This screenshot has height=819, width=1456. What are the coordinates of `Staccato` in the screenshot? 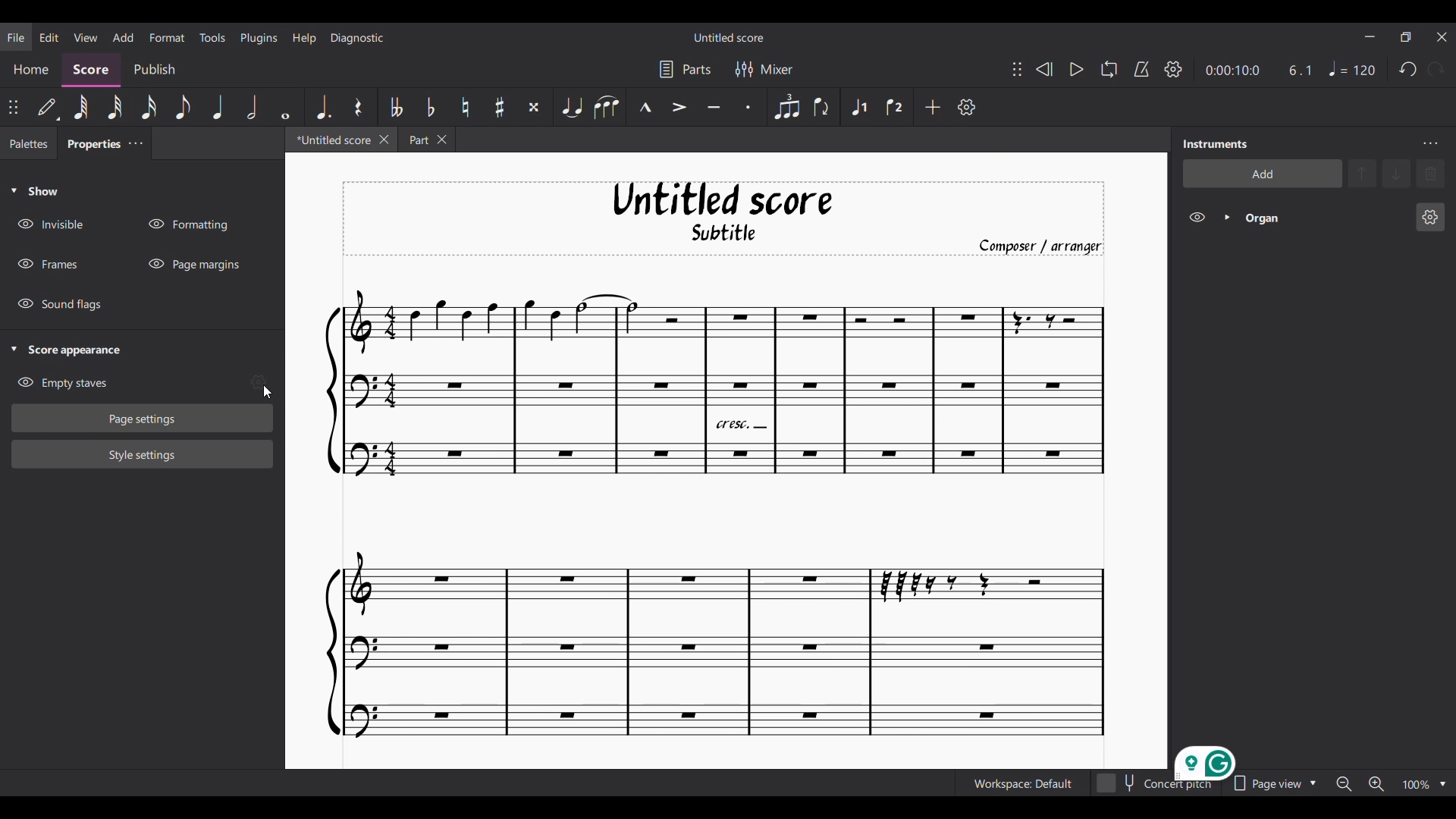 It's located at (752, 108).